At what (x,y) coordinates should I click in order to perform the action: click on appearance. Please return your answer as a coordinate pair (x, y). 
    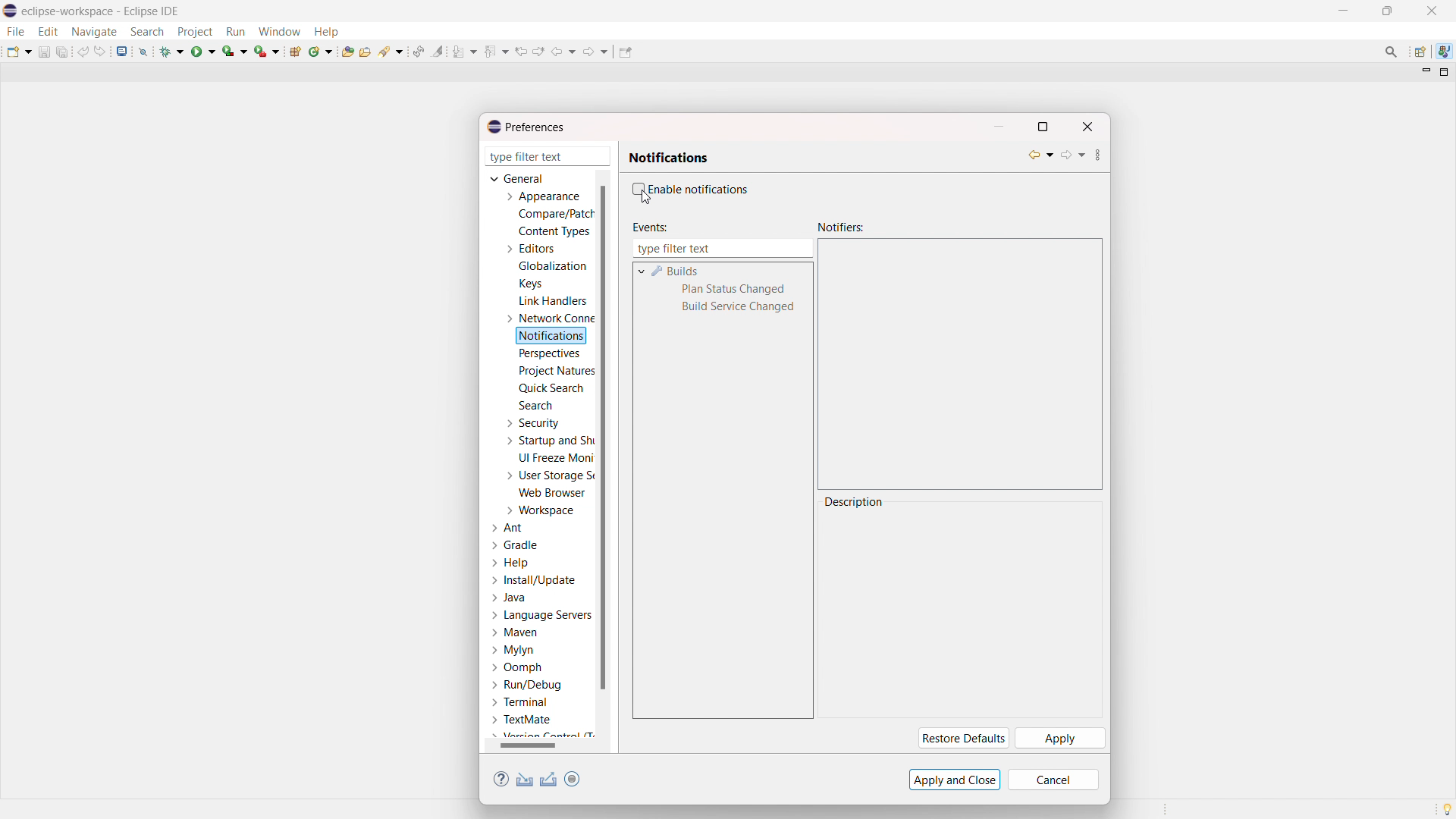
    Looking at the image, I should click on (541, 196).